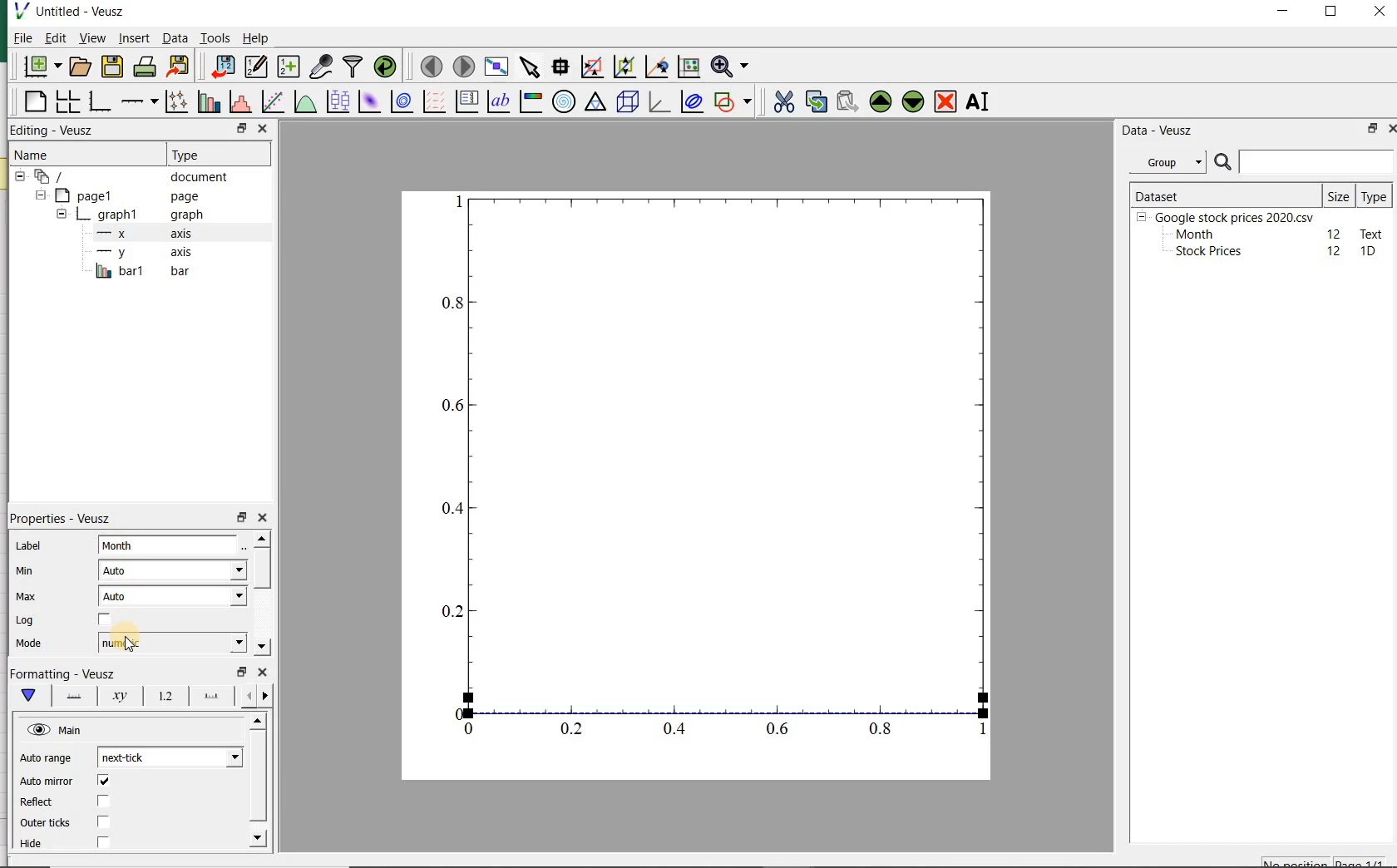  I want to click on Type, so click(207, 153).